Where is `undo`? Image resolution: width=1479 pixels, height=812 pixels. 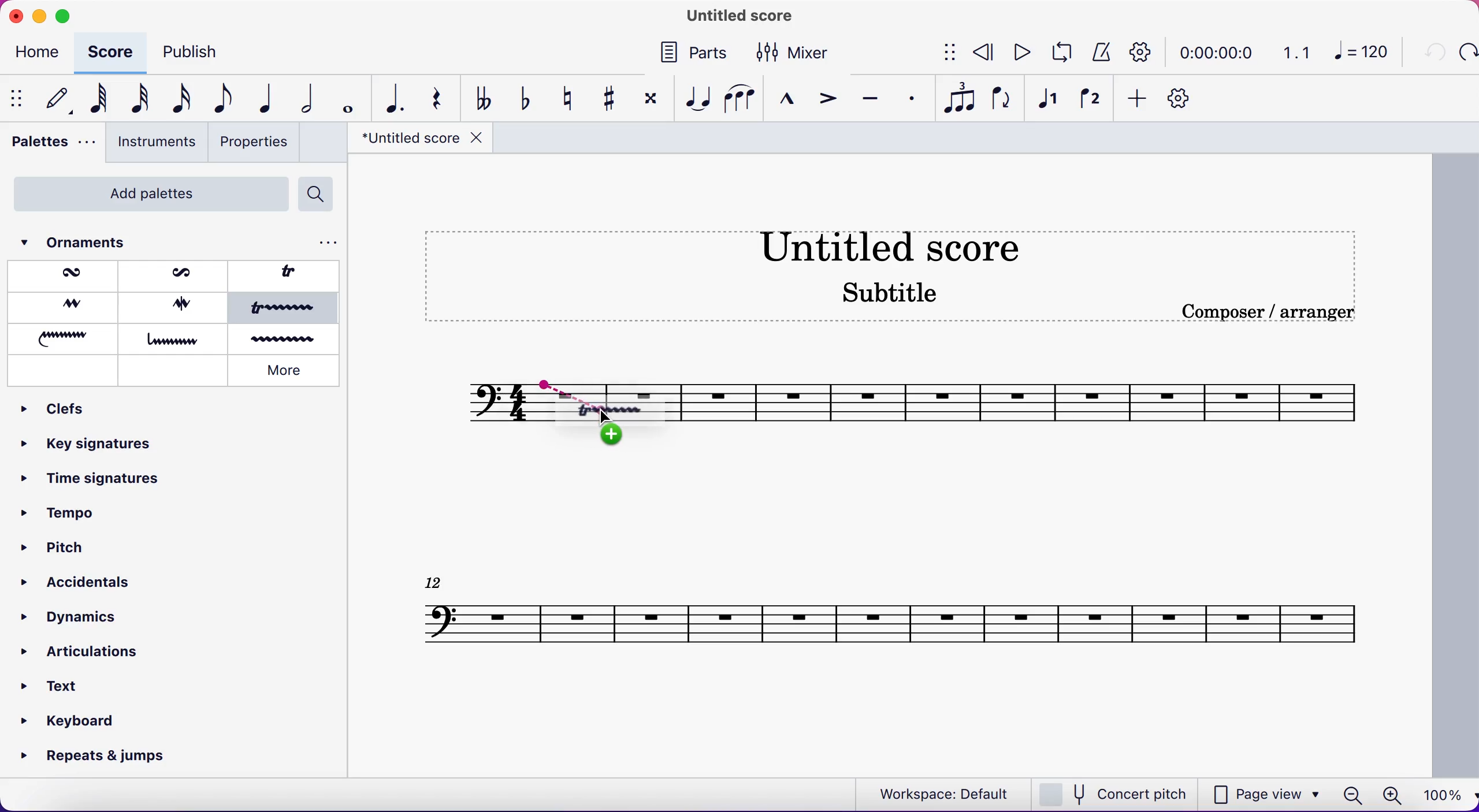 undo is located at coordinates (1432, 54).